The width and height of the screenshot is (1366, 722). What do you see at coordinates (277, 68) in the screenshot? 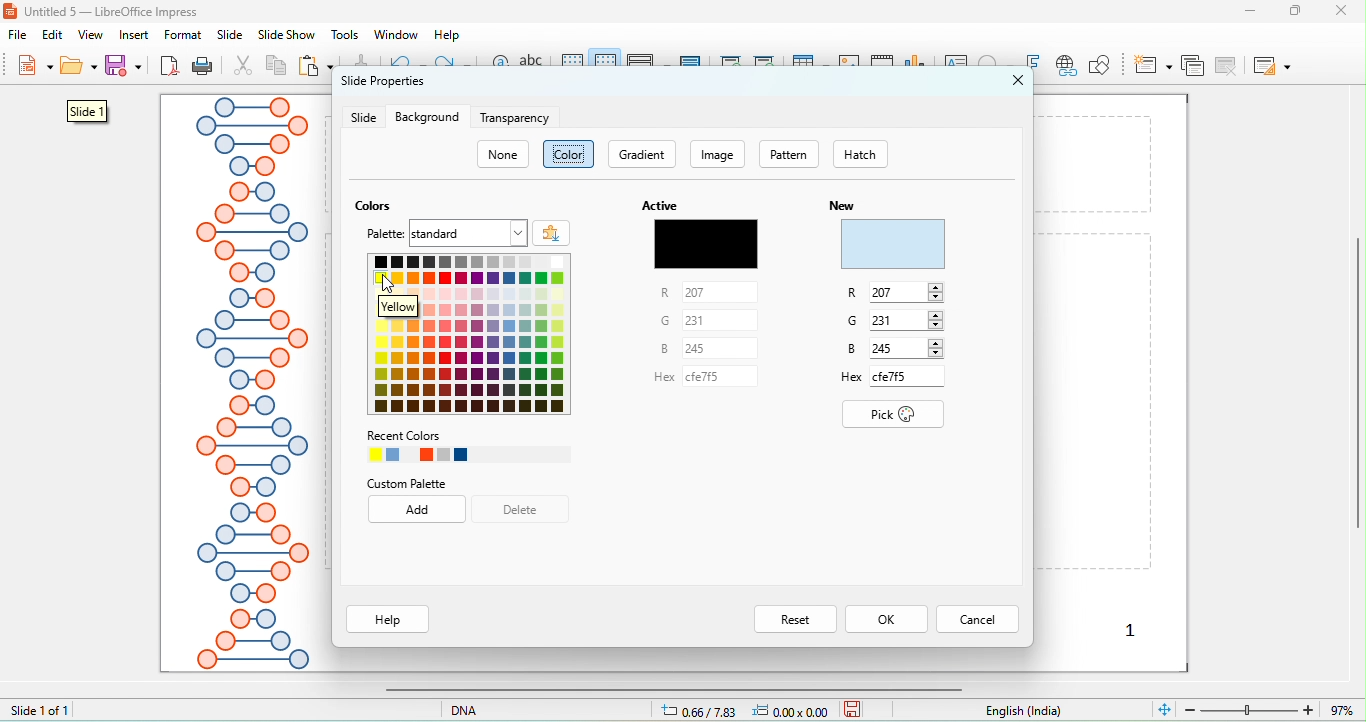
I see `copy` at bounding box center [277, 68].